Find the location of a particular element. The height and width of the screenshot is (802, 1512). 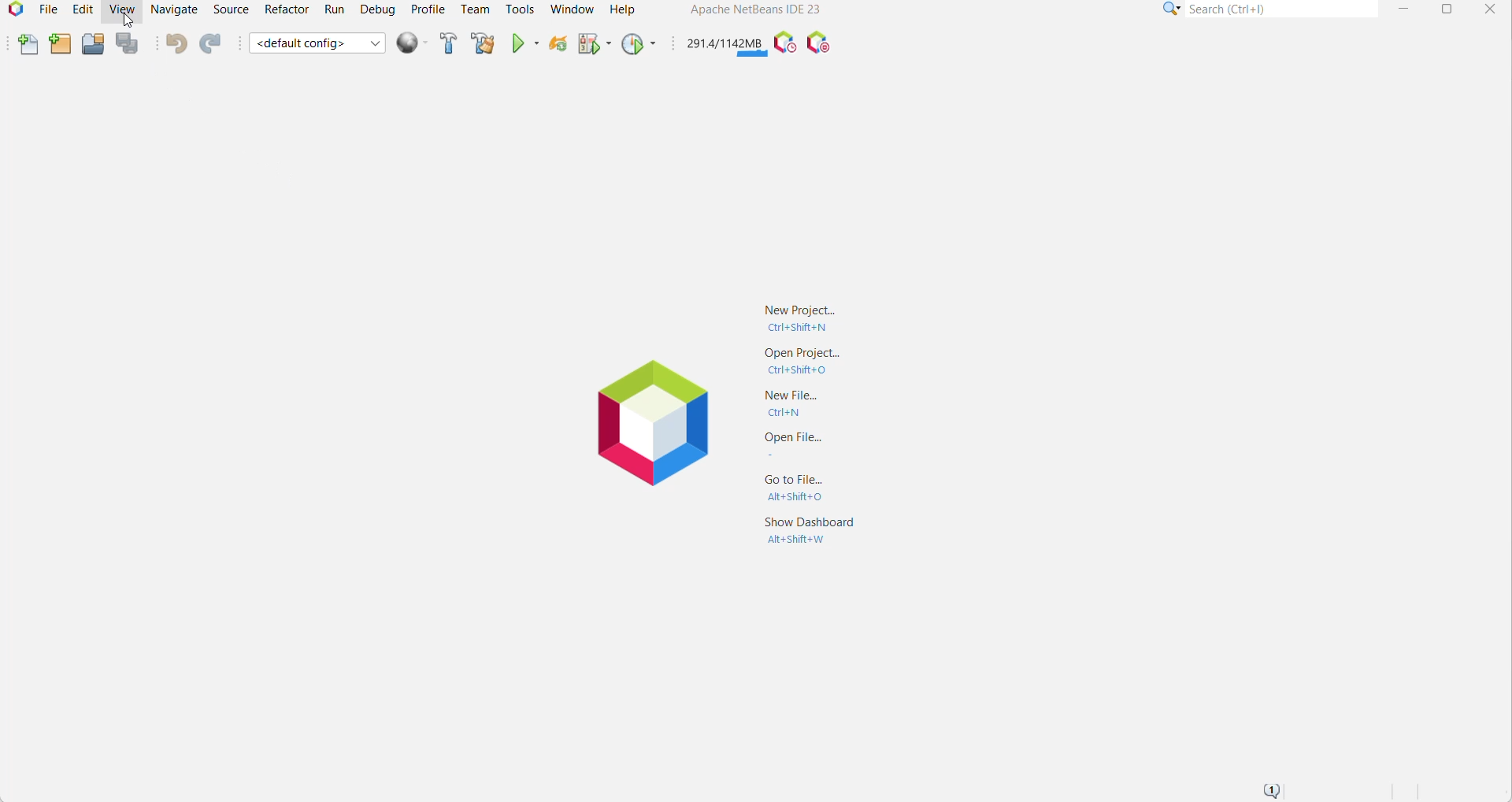

View is located at coordinates (120, 12).